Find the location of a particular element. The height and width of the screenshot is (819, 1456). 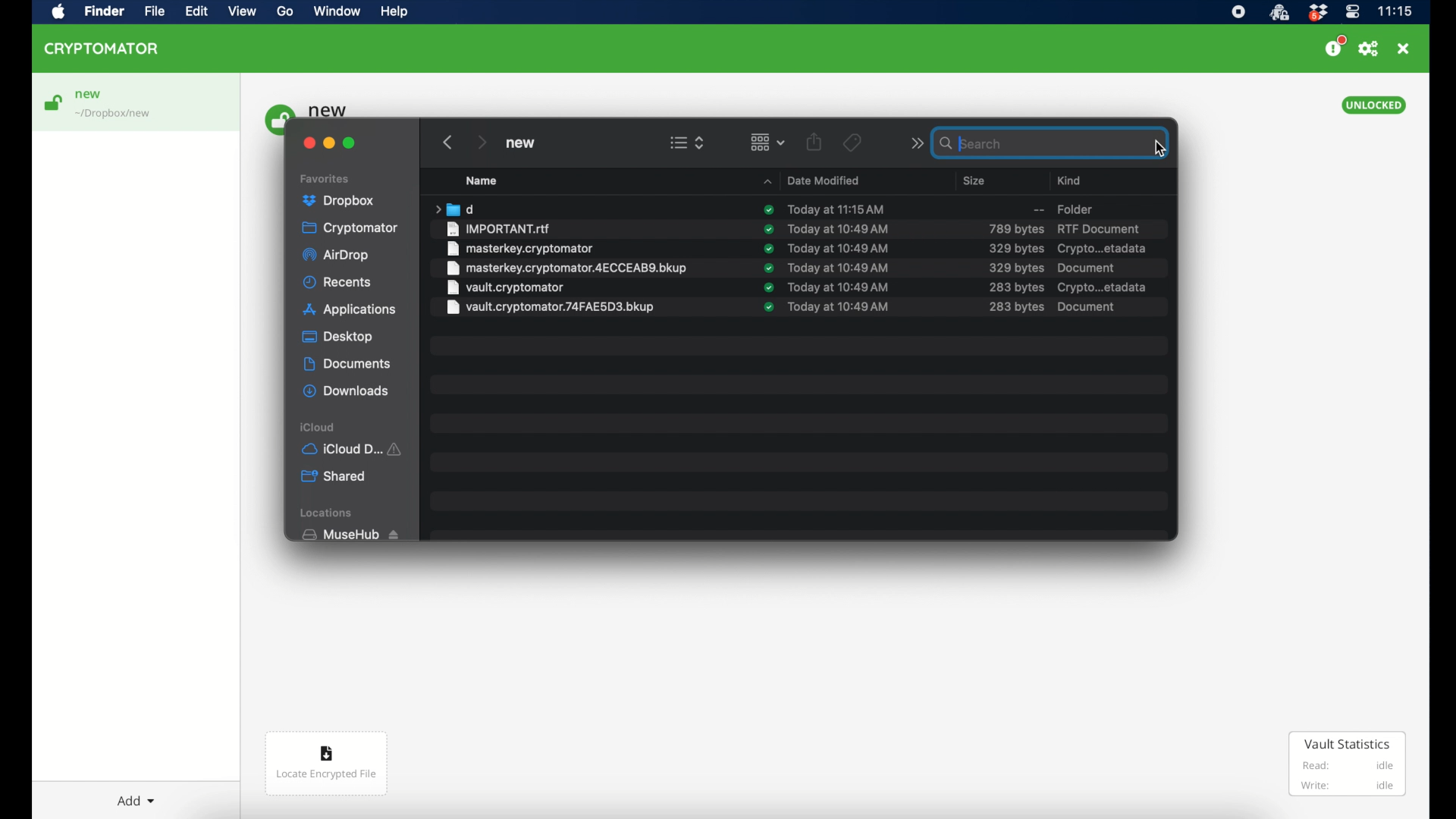

kind is located at coordinates (1070, 180).